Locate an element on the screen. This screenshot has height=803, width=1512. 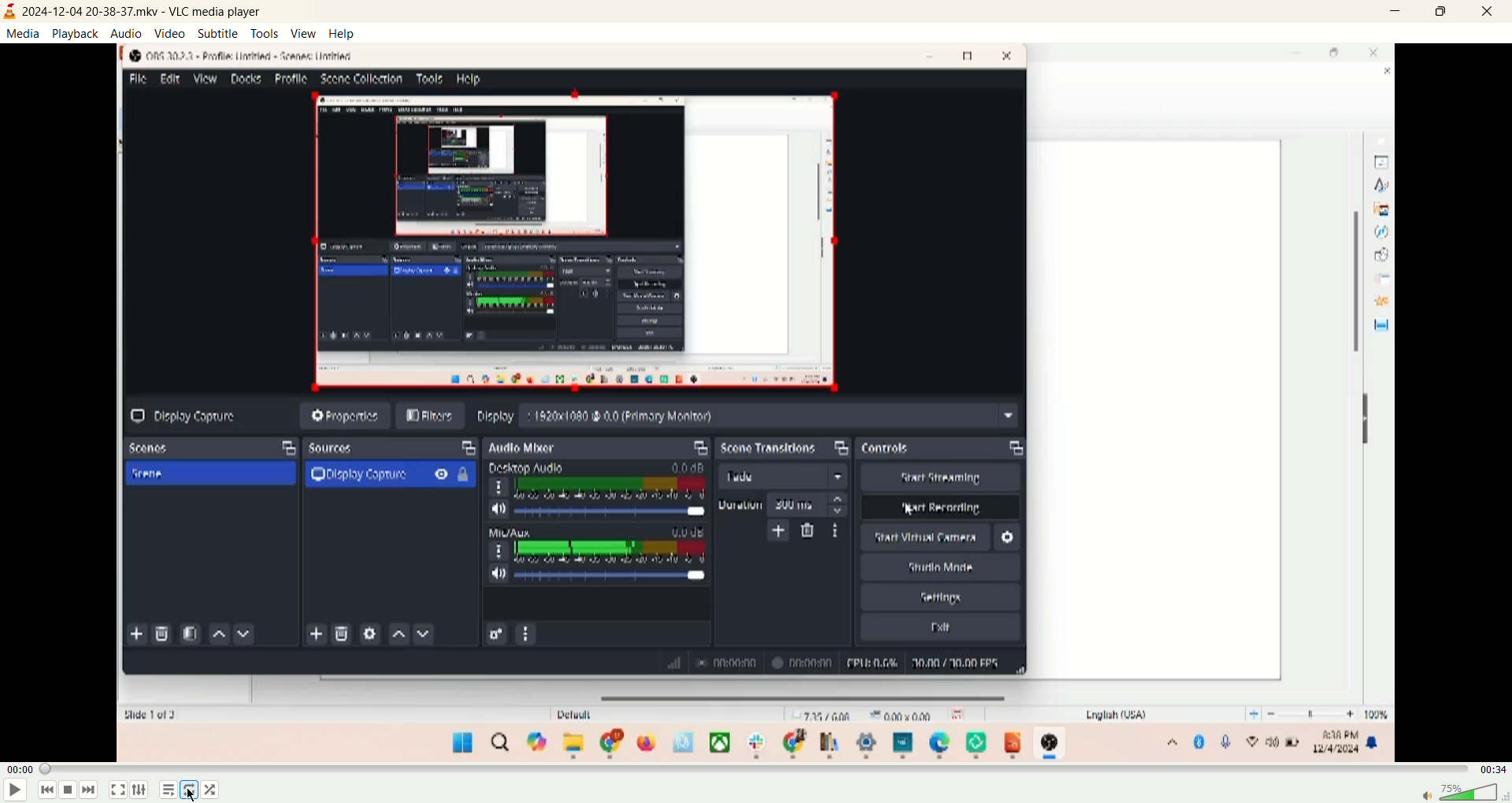
help is located at coordinates (343, 34).